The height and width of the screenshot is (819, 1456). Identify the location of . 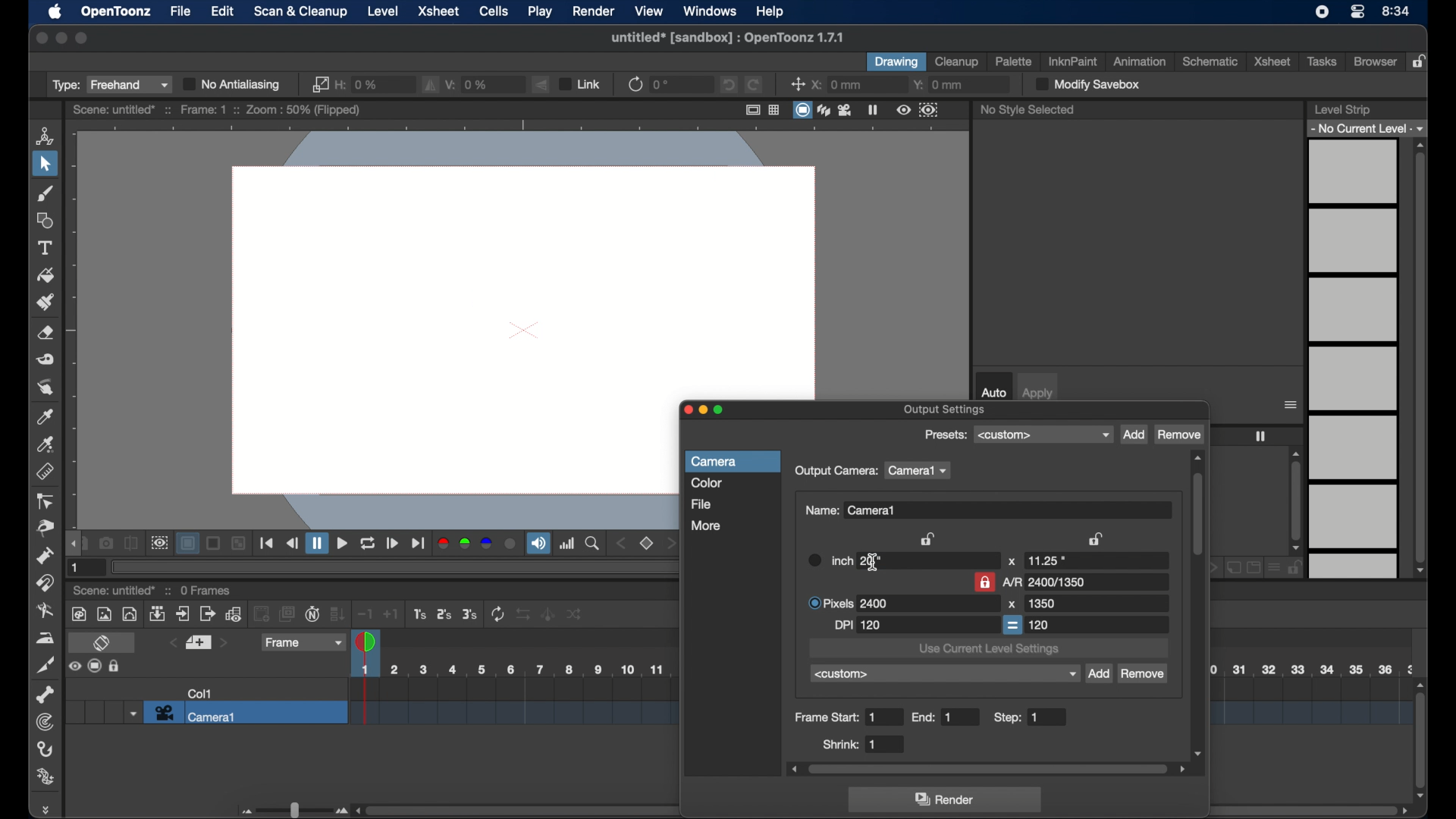
(313, 614).